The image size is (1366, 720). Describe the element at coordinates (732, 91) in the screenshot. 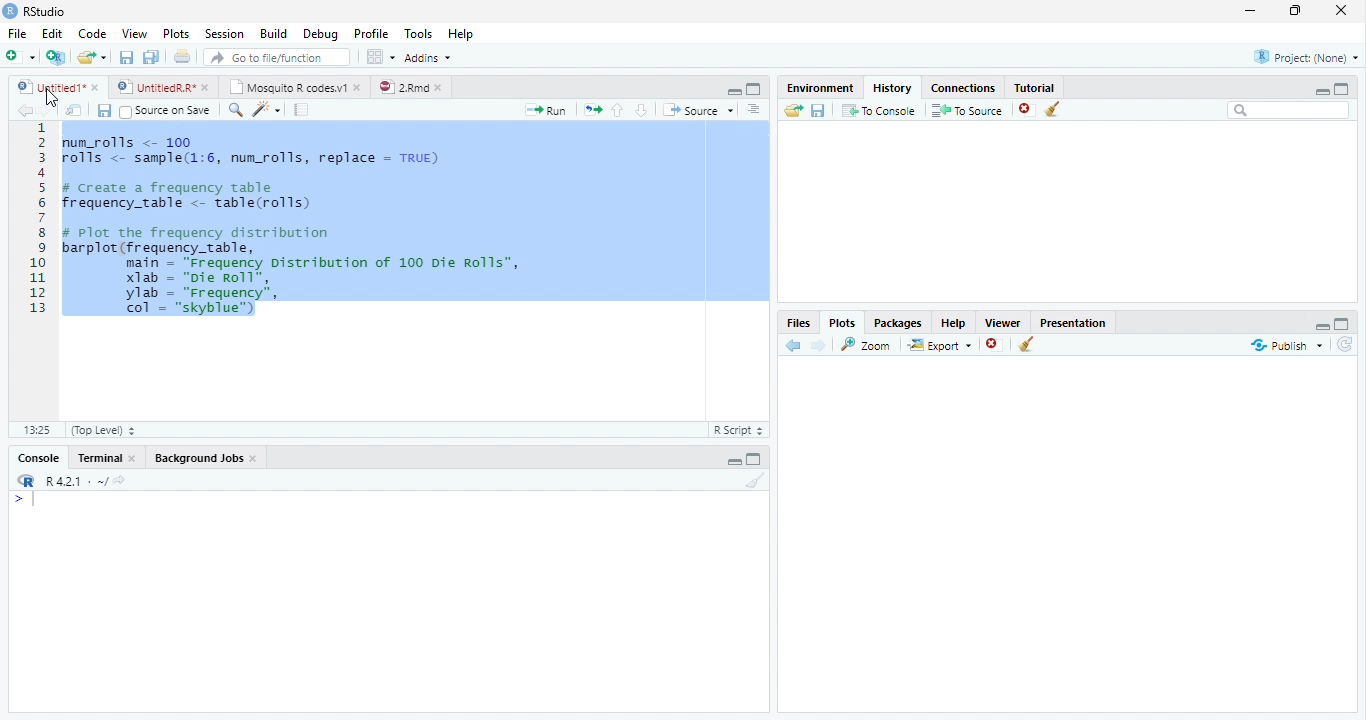

I see `Hide` at that location.